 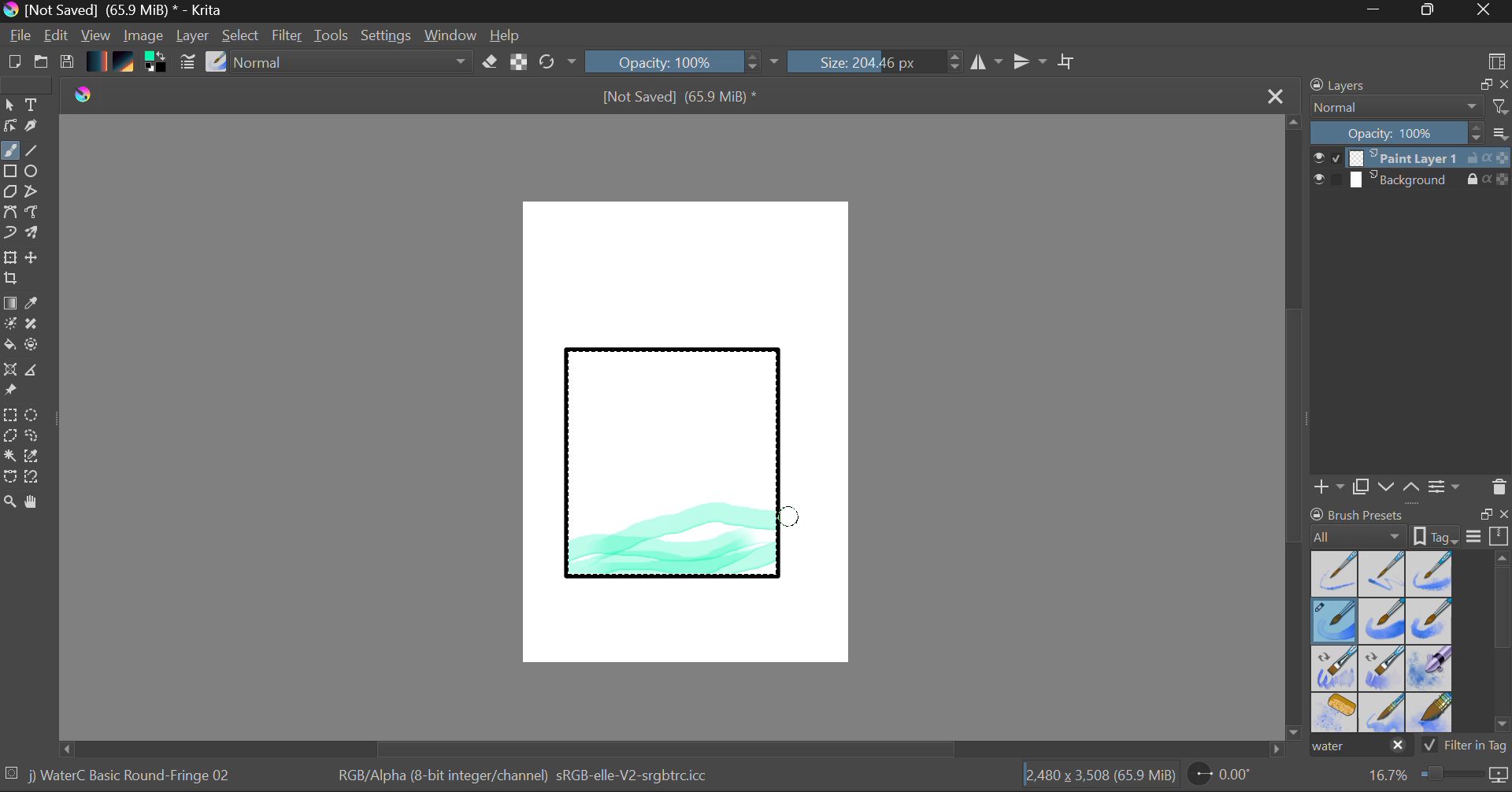 I want to click on Page Rotation, so click(x=1228, y=777).